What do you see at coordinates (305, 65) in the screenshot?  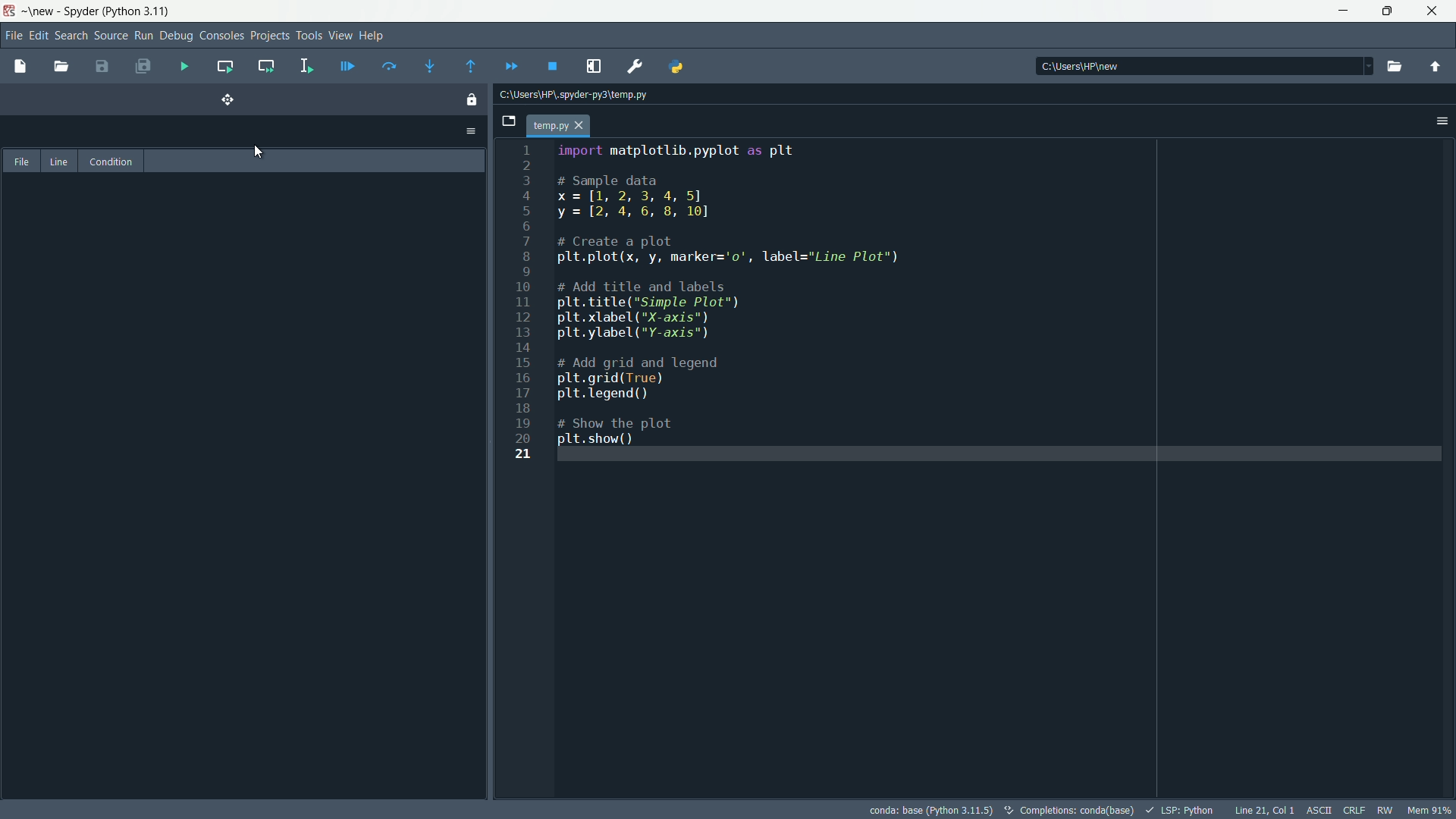 I see `run selection` at bounding box center [305, 65].